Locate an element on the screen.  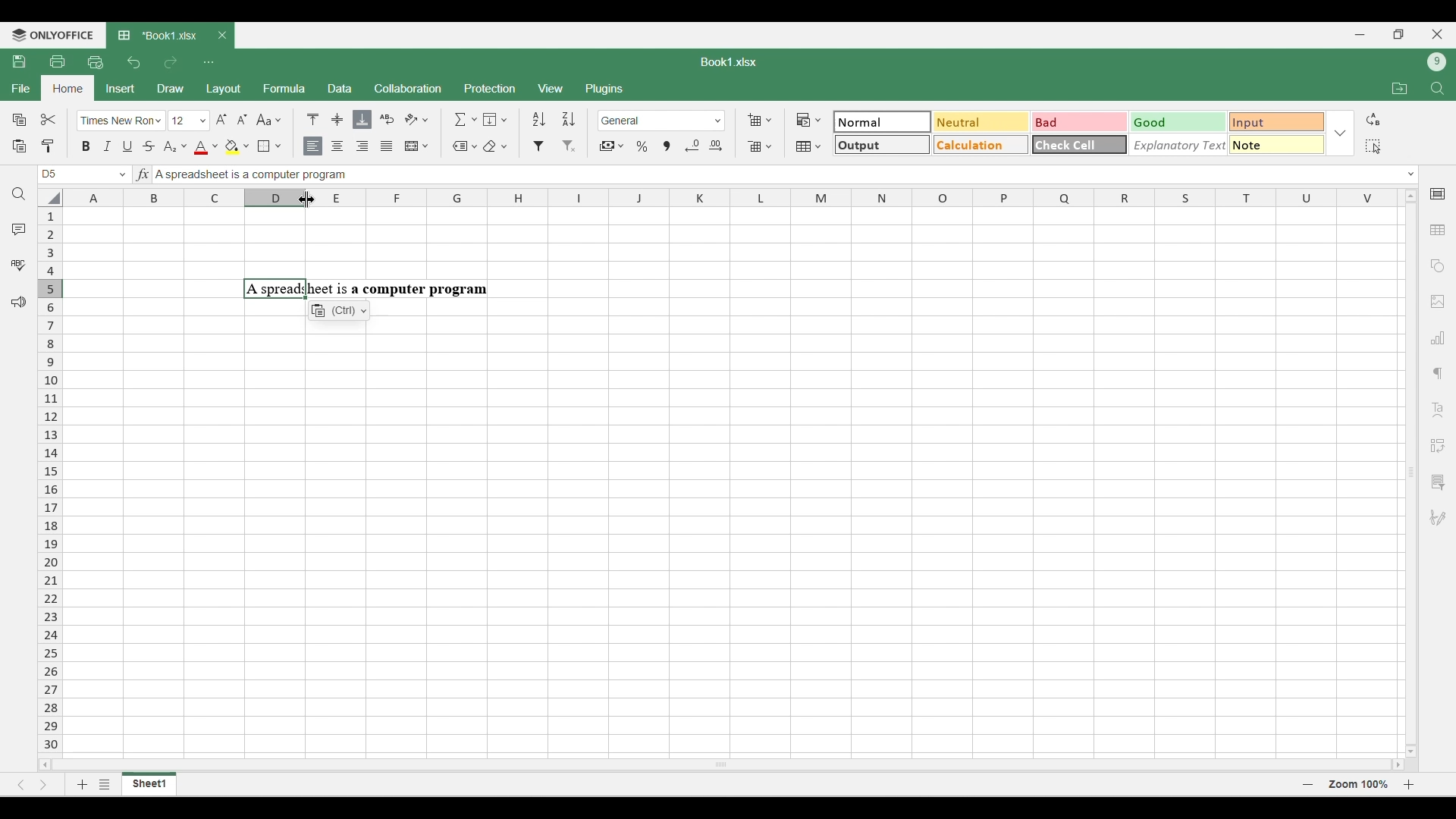
File menu is located at coordinates (20, 88).